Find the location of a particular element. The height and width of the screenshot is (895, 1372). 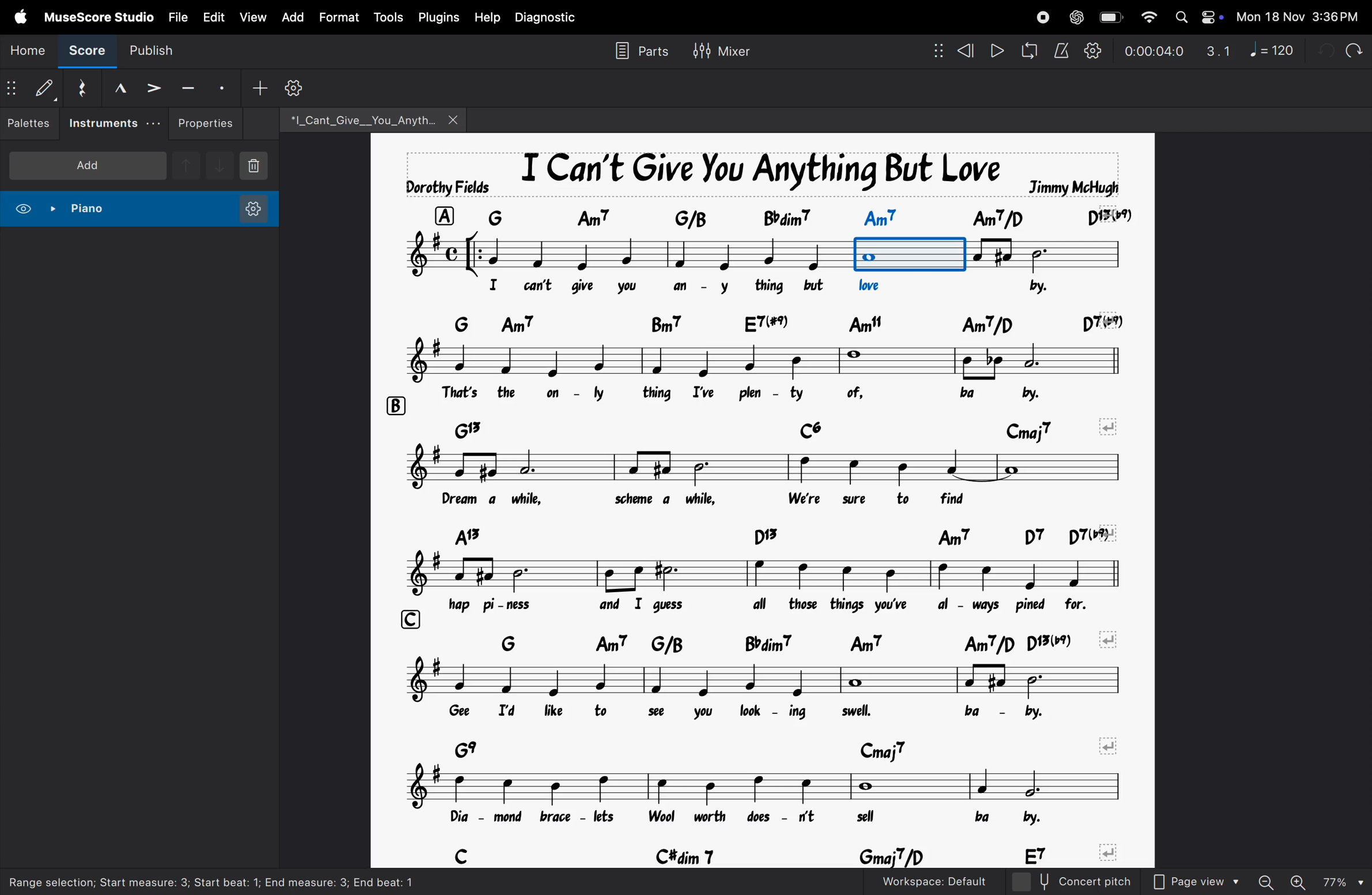

mixer is located at coordinates (720, 49).